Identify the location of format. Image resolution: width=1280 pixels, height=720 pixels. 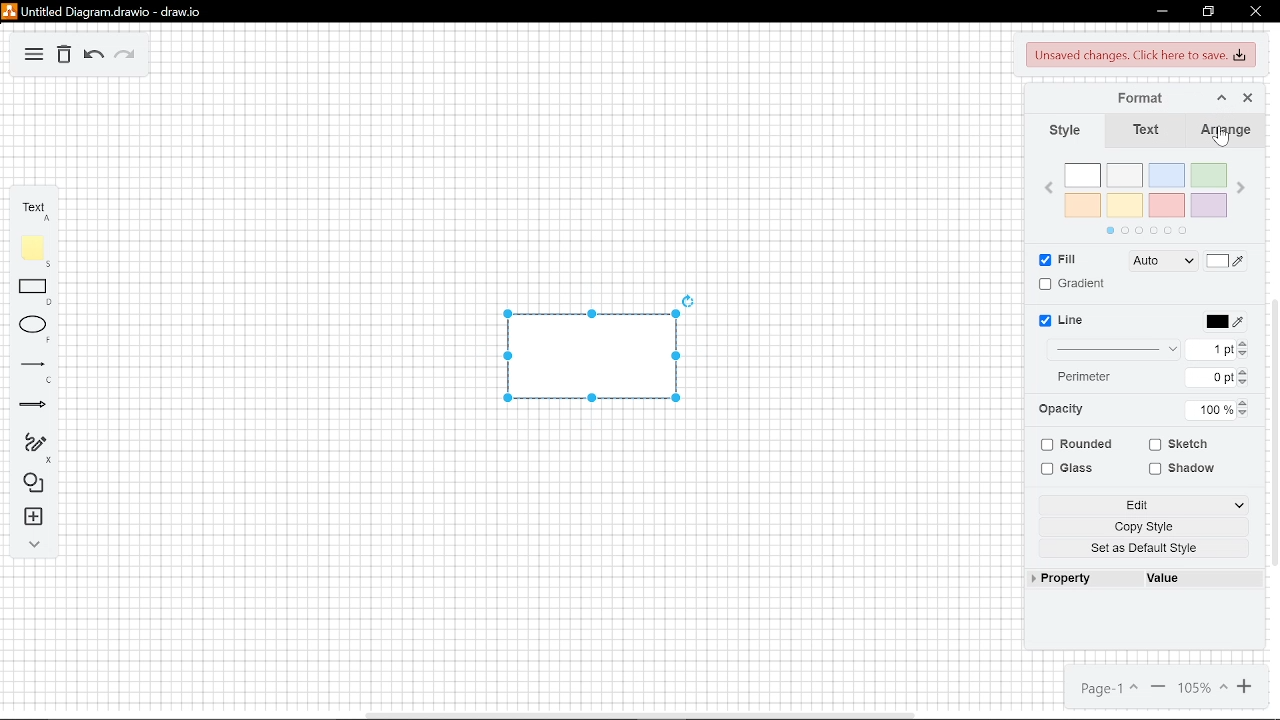
(1132, 100).